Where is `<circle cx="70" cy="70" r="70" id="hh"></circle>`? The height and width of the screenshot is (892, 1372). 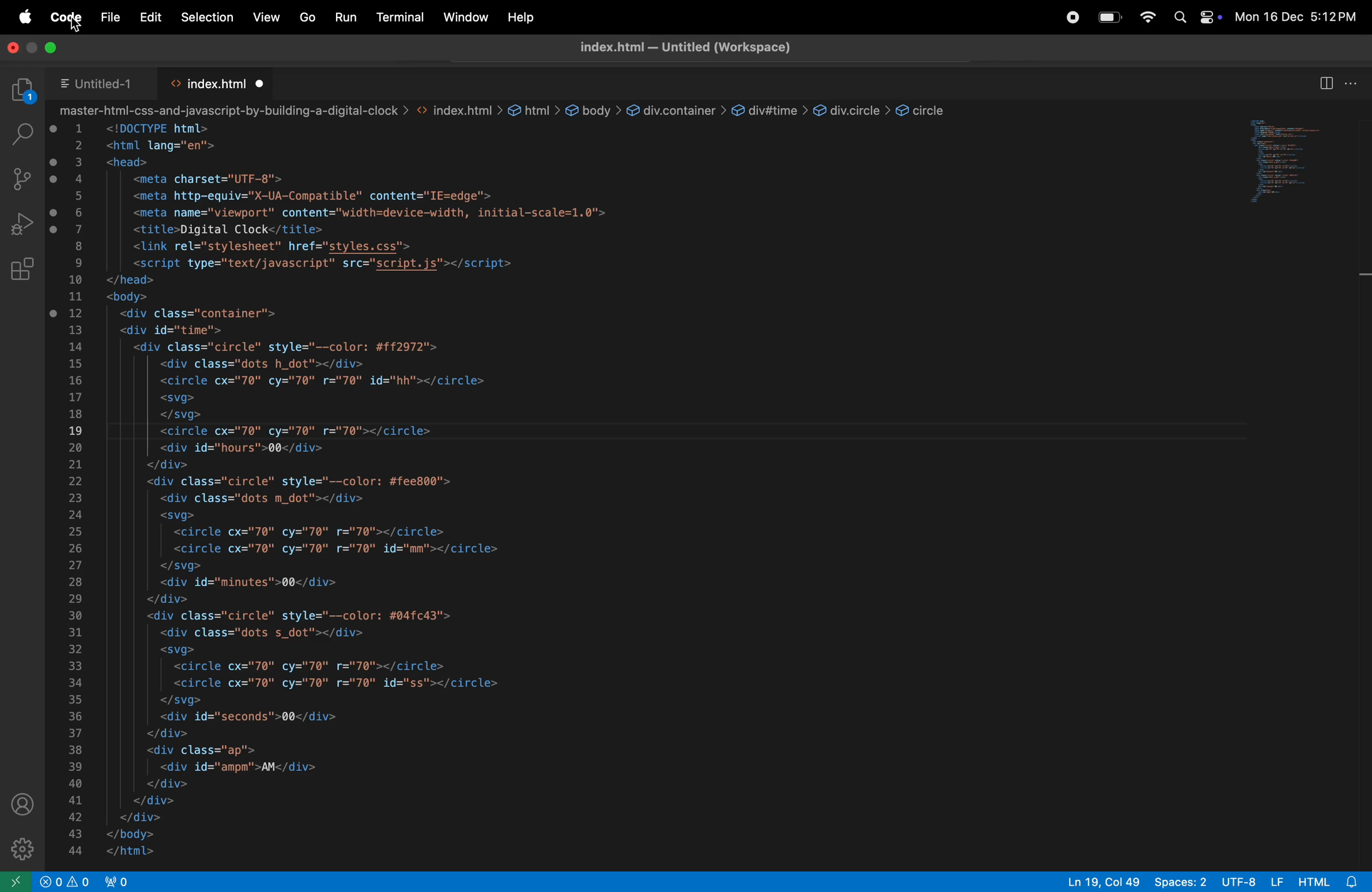 <circle cx="70" cy="70" r="70" id="hh"></circle> is located at coordinates (326, 380).